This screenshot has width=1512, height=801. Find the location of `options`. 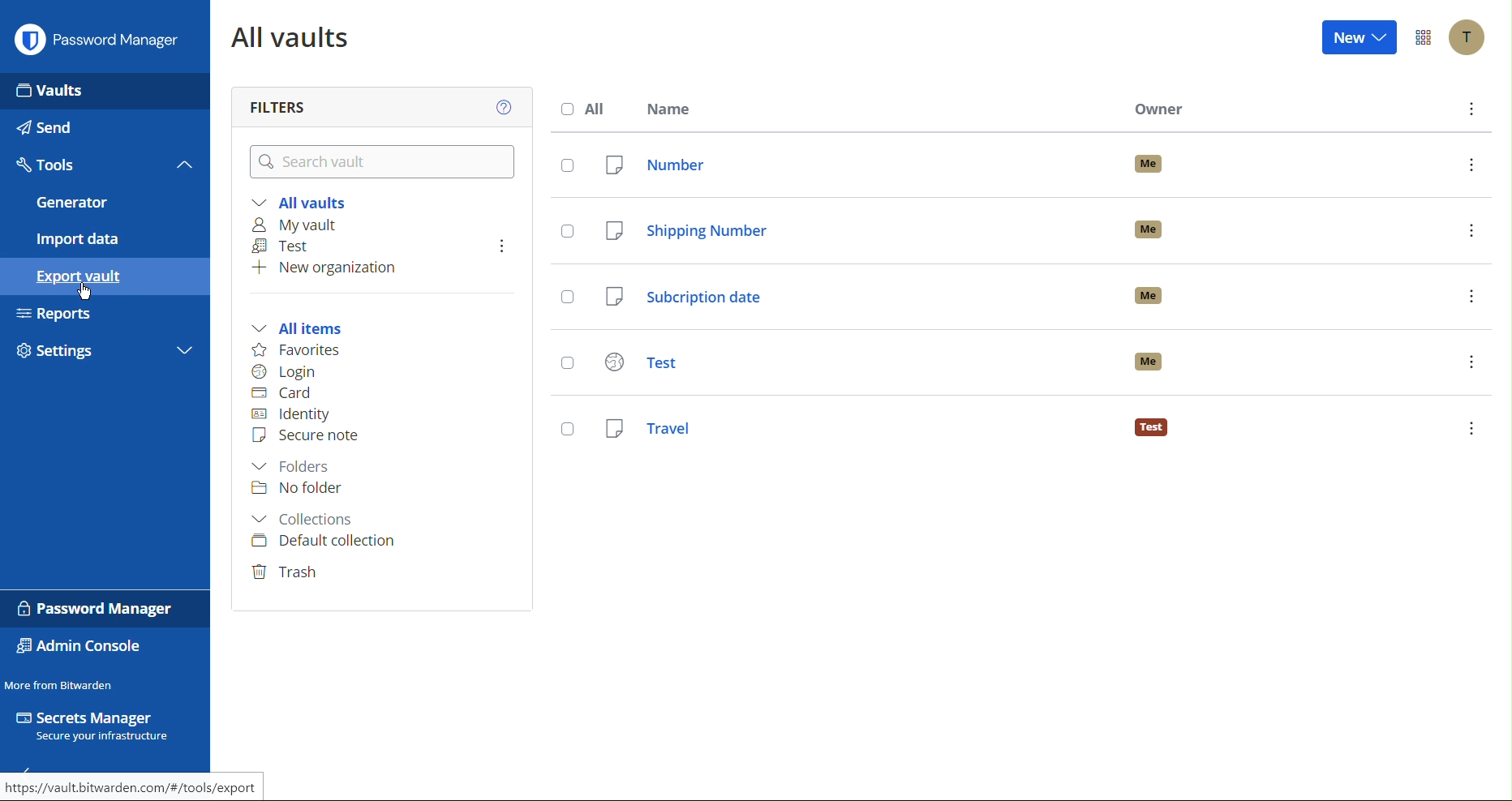

options is located at coordinates (1471, 109).